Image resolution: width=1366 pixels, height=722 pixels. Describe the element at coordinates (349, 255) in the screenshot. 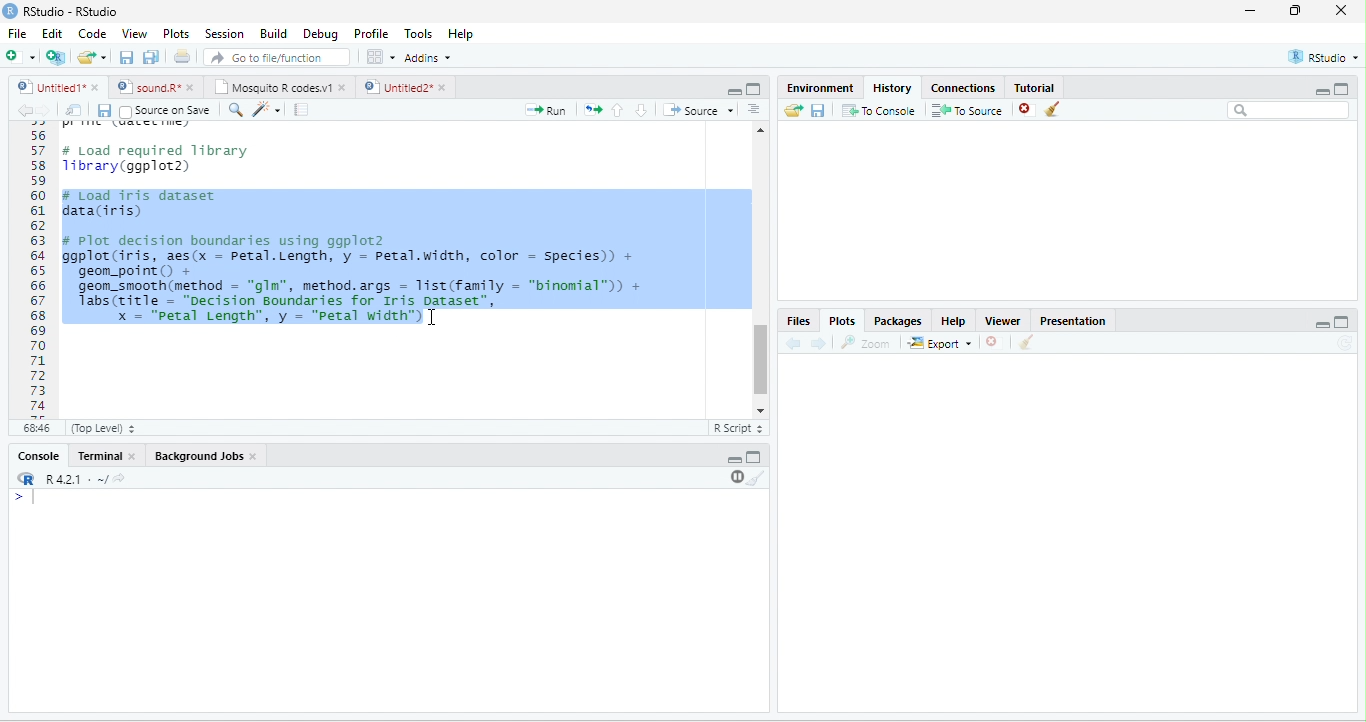

I see `# Plot decision boundaries using ggplot2
ggplot(iris, aes(x = petal.Length, y = Petal.width, color = Species) +
geom_point() +` at that location.